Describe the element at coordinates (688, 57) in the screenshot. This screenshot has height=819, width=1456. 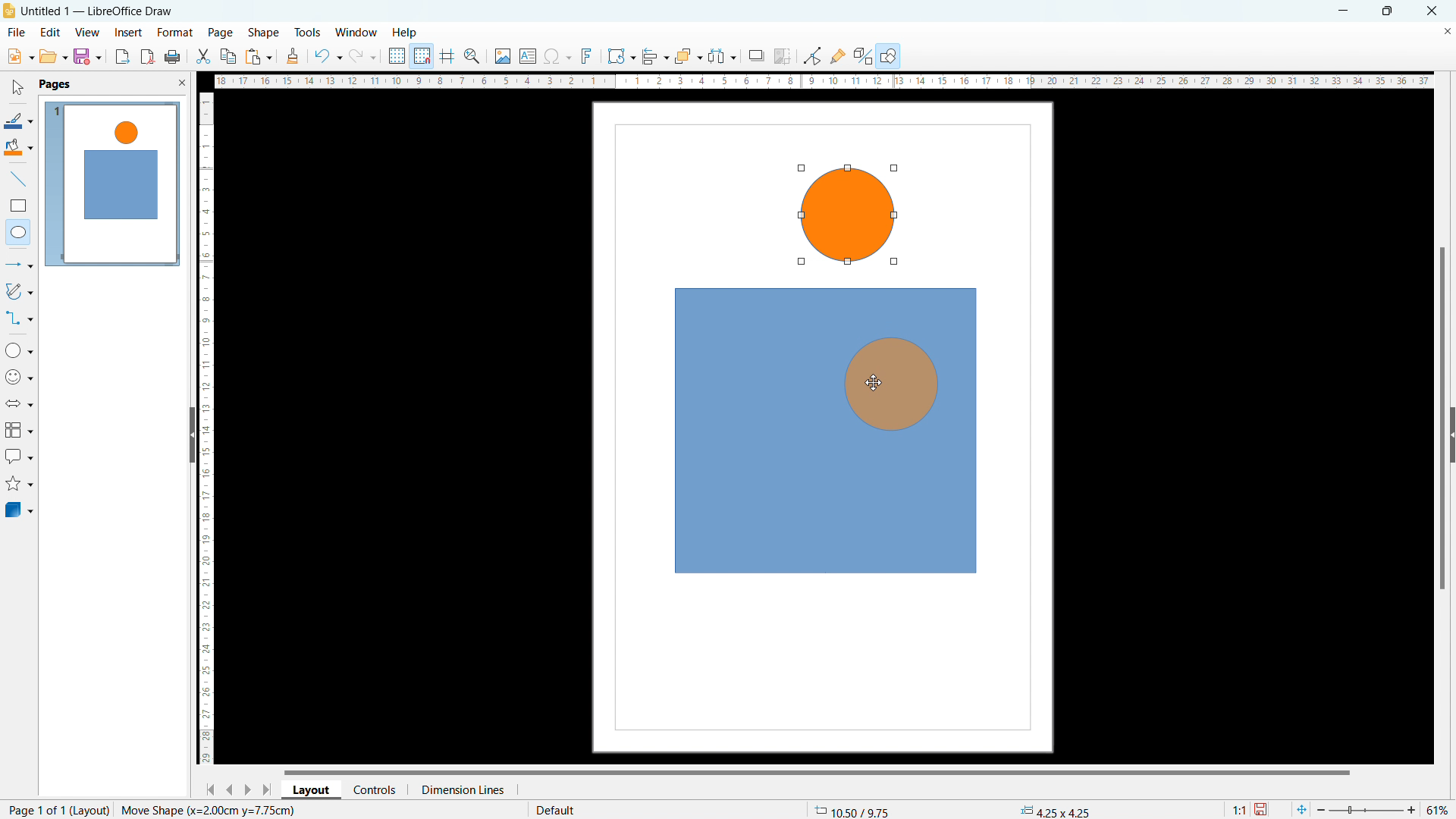
I see `arrange` at that location.